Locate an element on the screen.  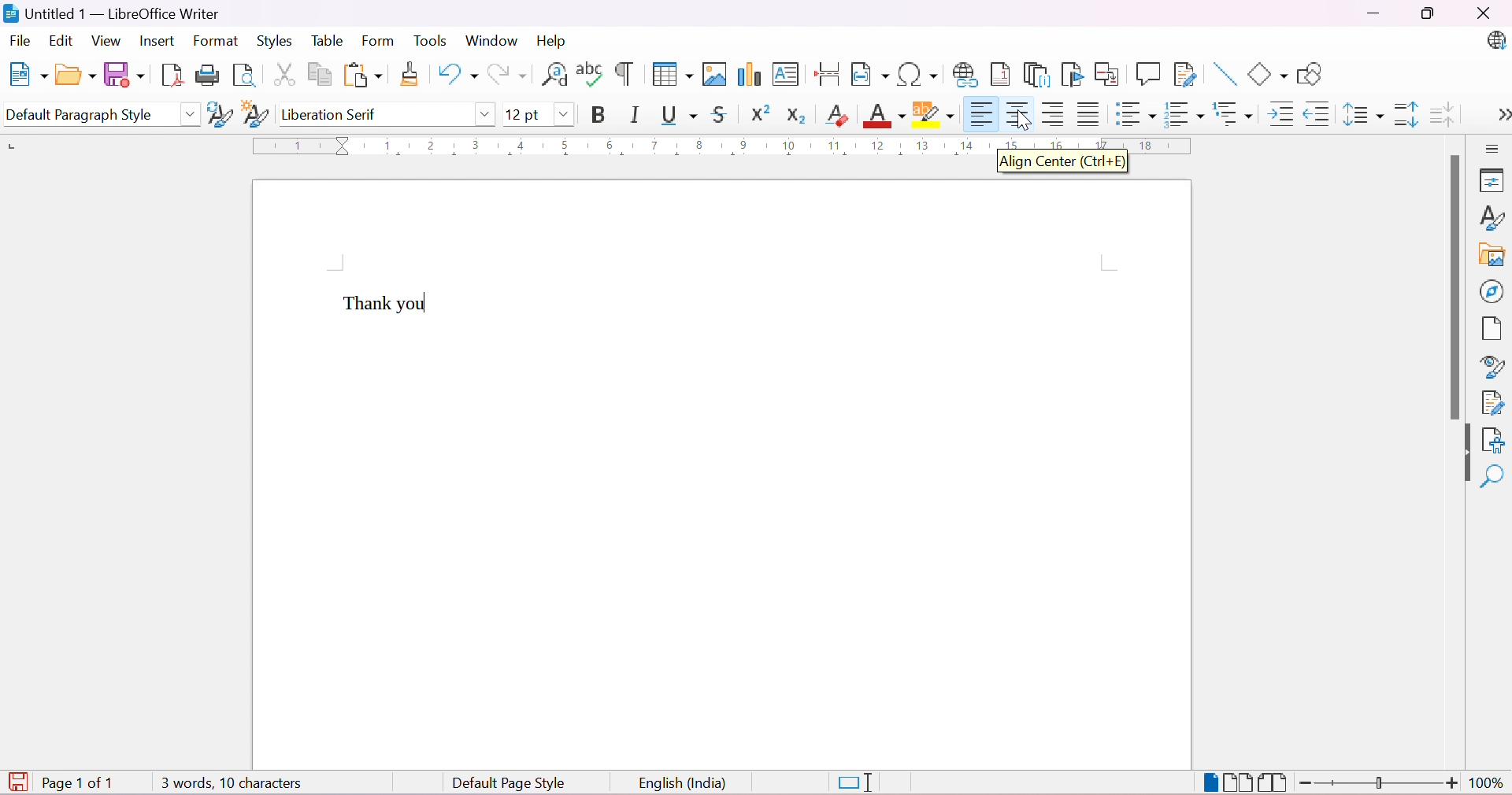
Update Selected Style is located at coordinates (217, 116).